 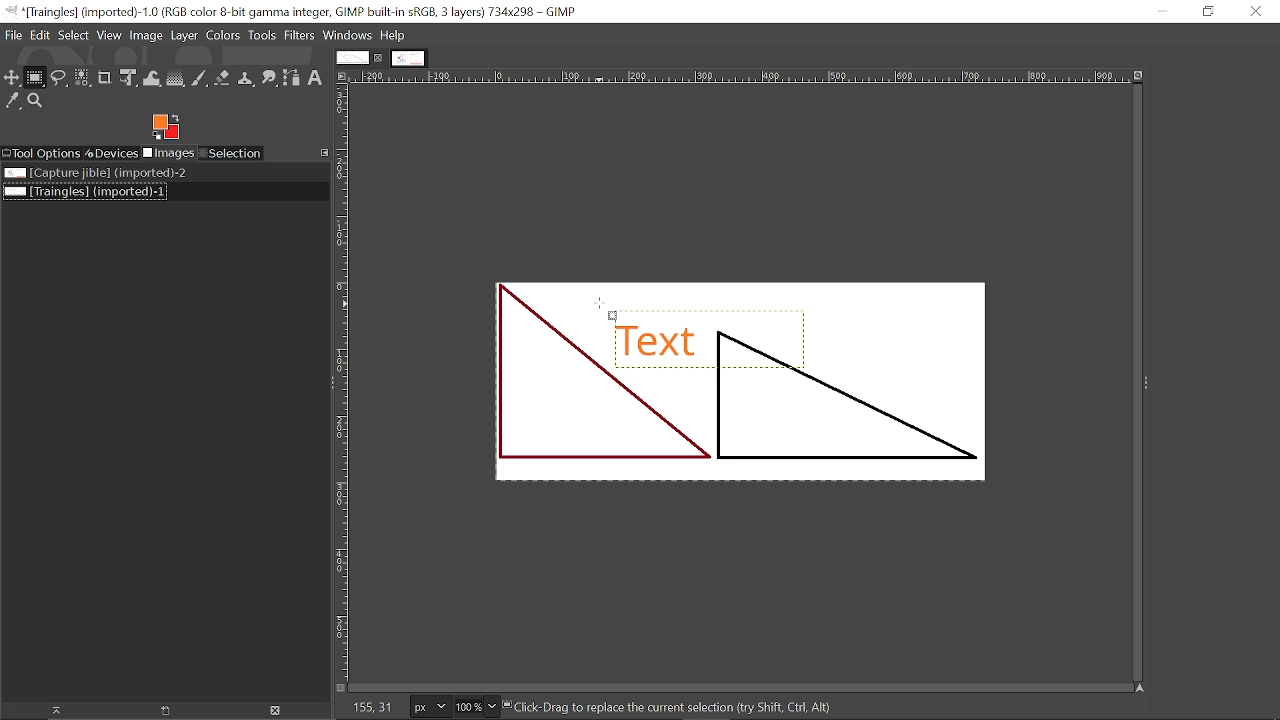 I want to click on Clone tool, so click(x=247, y=79).